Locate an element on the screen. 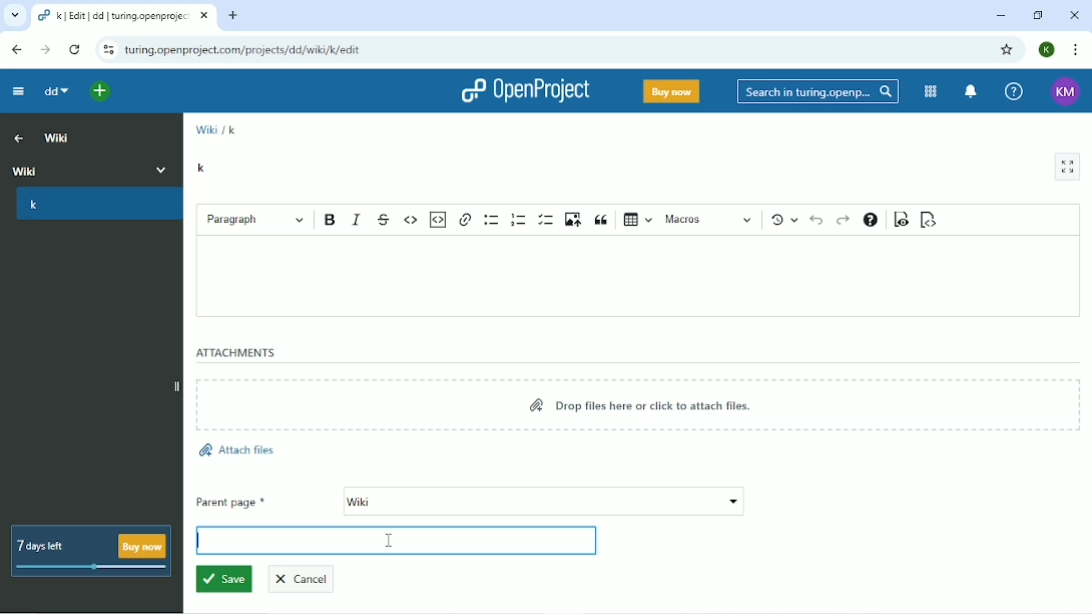  Help is located at coordinates (1012, 90).